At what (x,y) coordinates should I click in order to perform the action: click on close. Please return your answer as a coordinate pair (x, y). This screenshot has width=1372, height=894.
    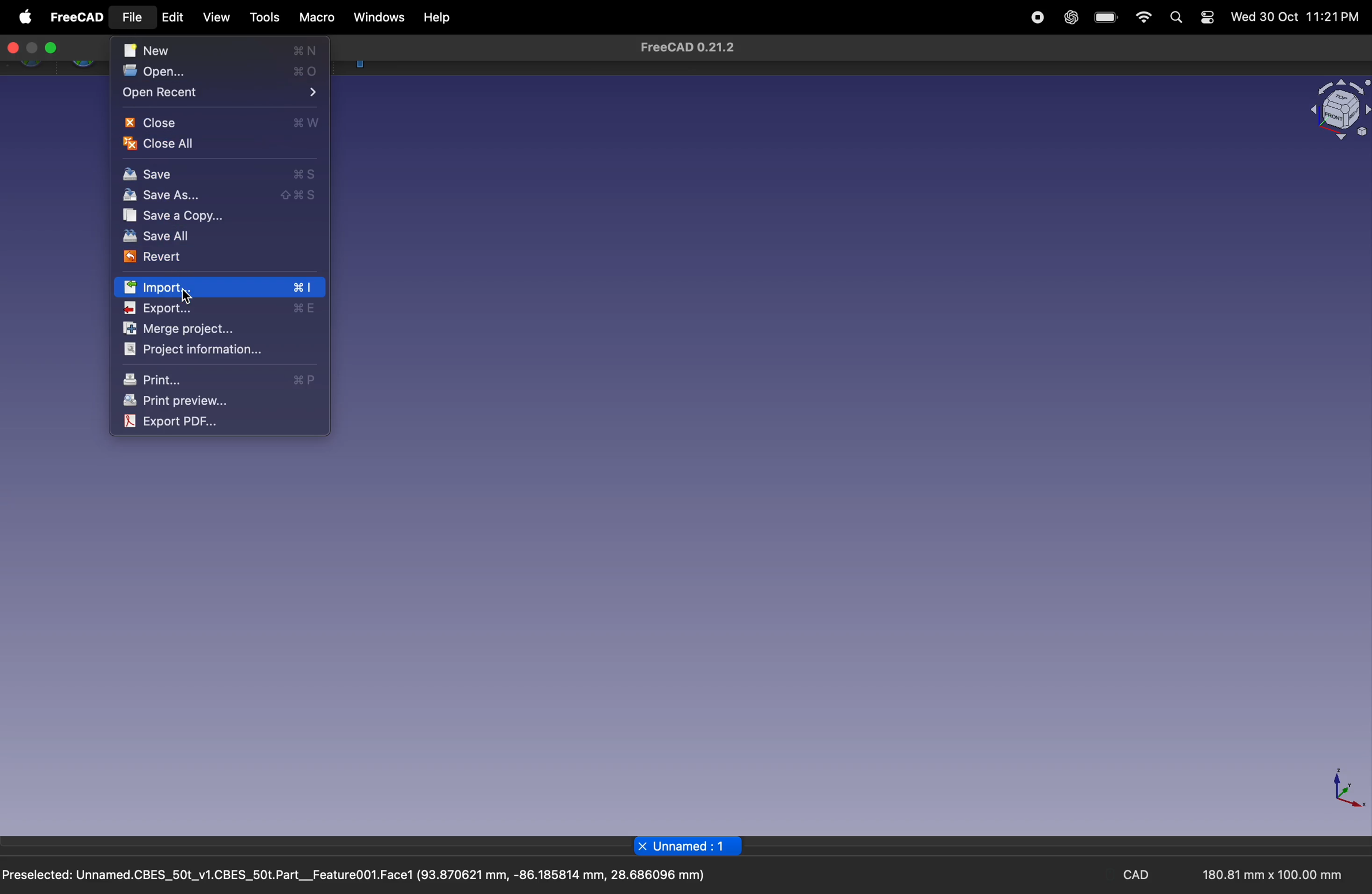
    Looking at the image, I should click on (13, 49).